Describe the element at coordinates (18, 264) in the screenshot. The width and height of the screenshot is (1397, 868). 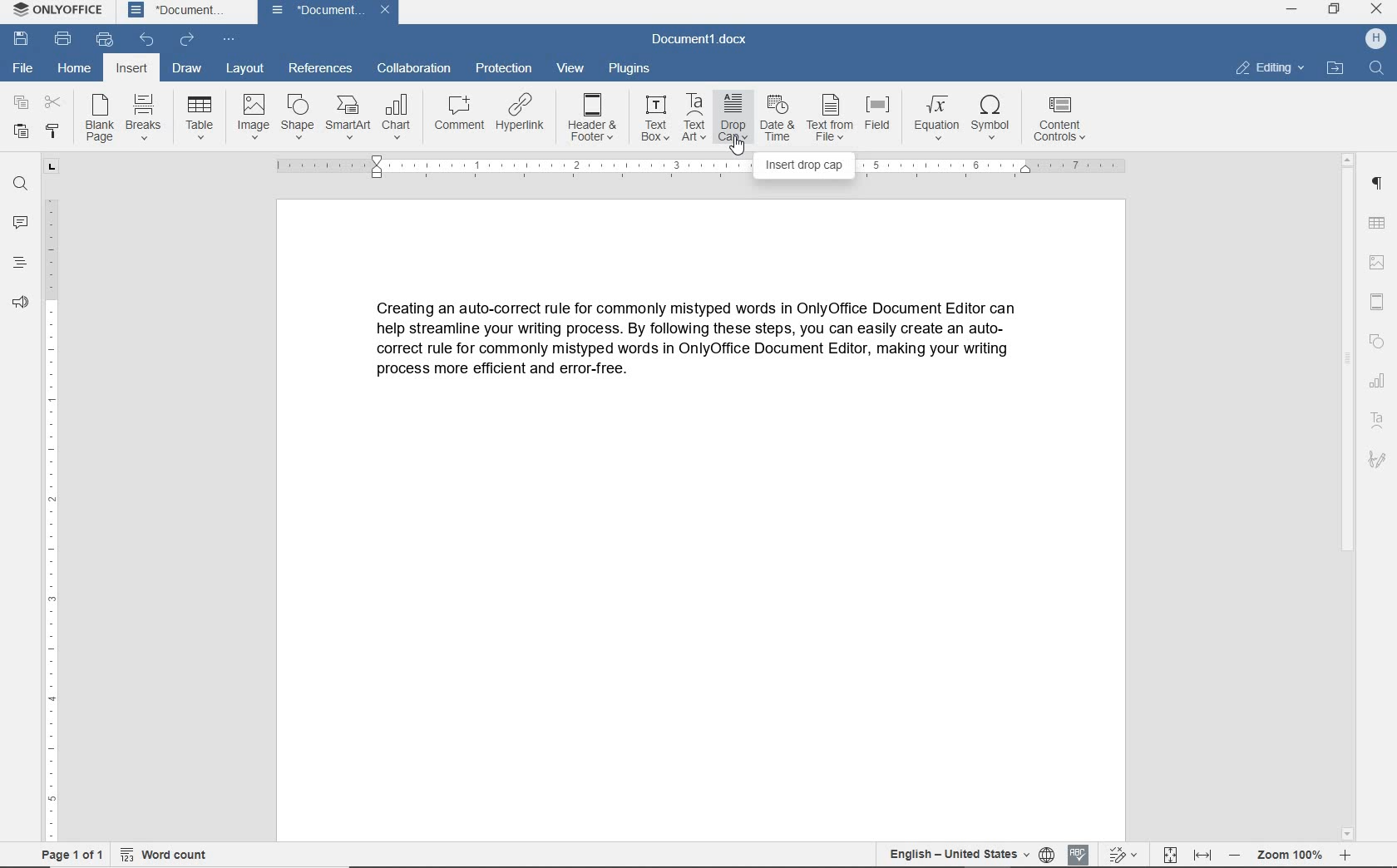
I see `headings` at that location.